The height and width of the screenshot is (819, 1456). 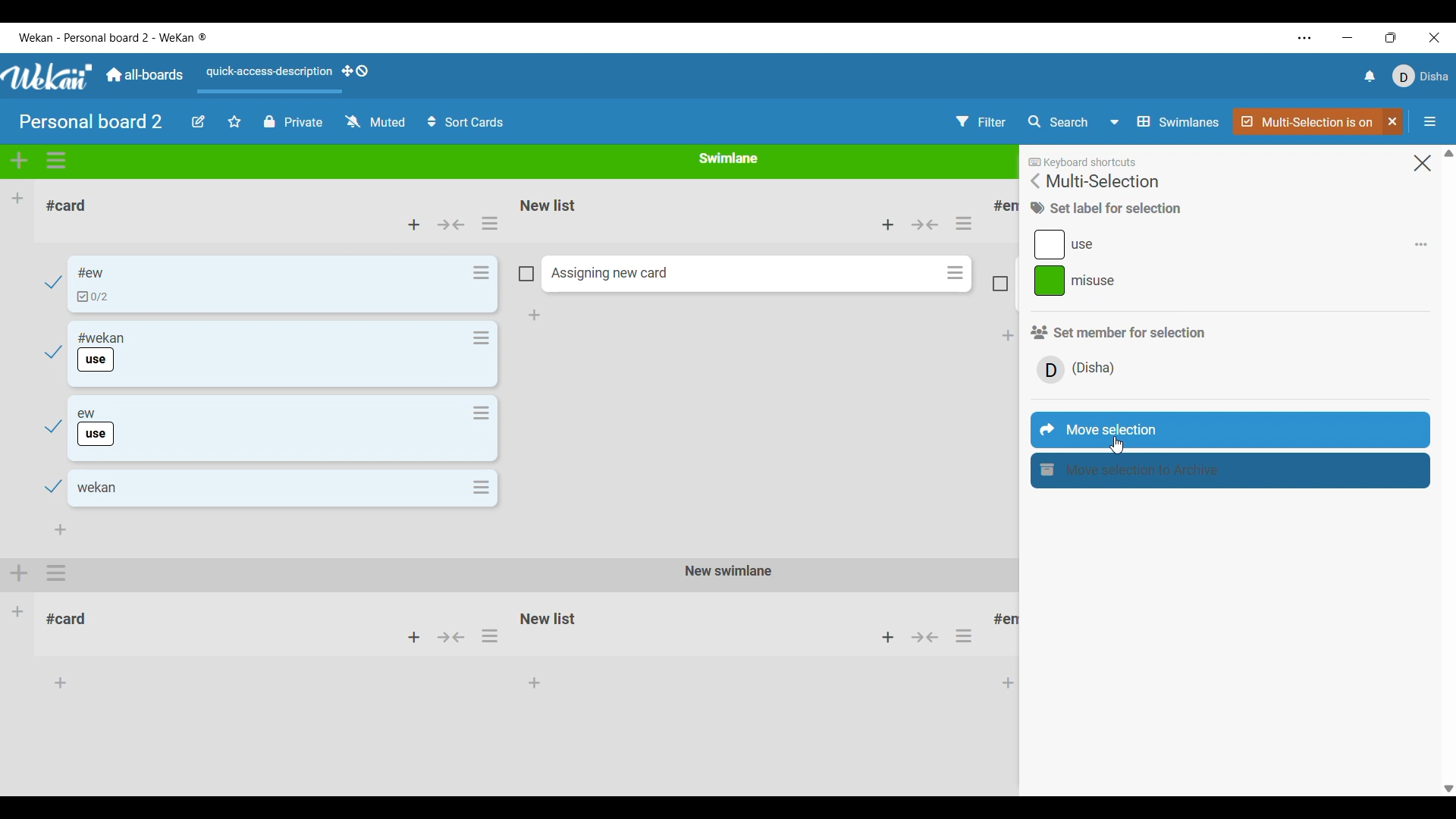 What do you see at coordinates (1423, 163) in the screenshot?
I see `Close menu` at bounding box center [1423, 163].